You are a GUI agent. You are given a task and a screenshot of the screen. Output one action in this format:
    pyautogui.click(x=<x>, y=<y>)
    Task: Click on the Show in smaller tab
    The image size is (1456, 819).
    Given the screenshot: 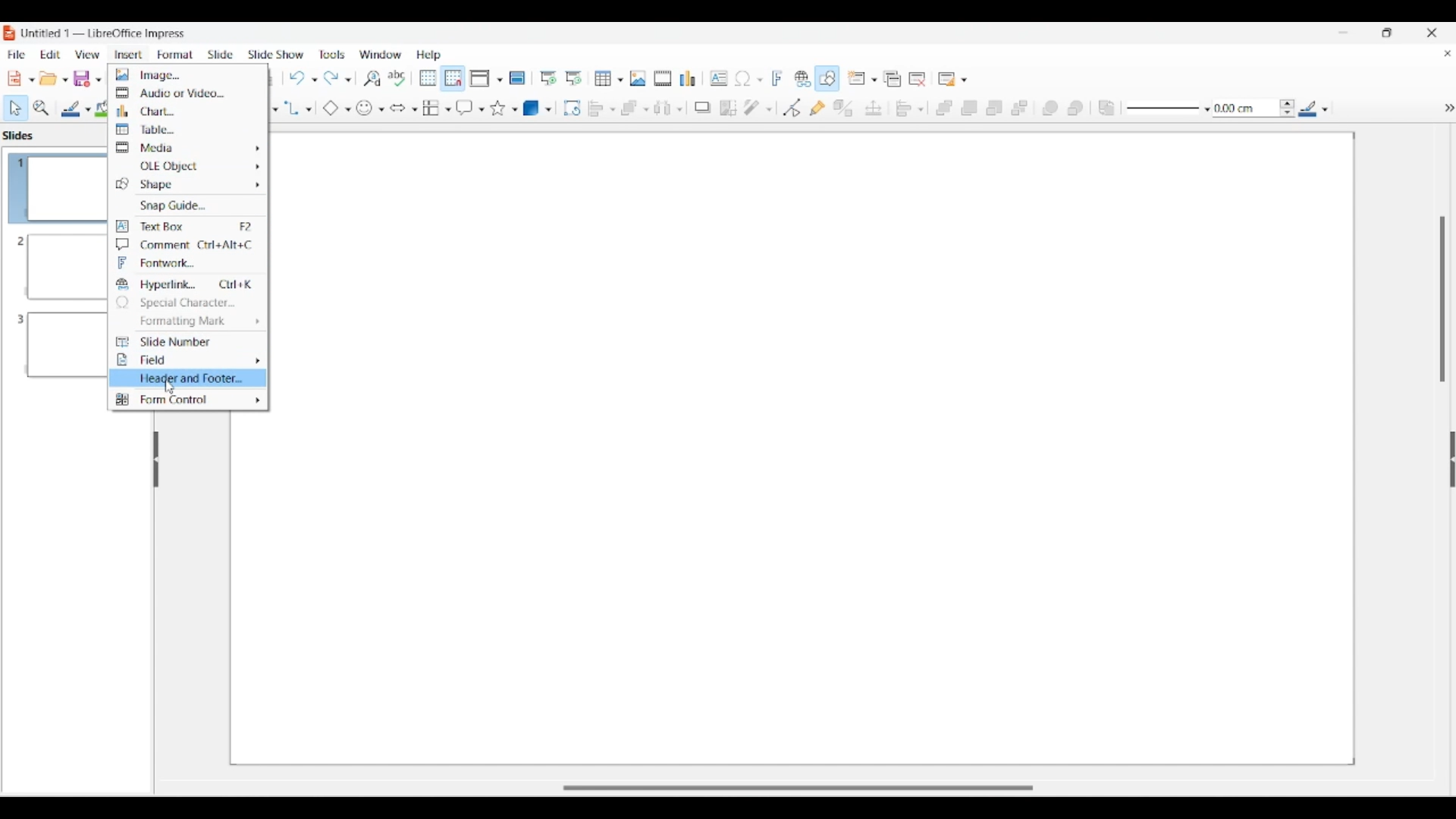 What is the action you would take?
    pyautogui.click(x=1387, y=33)
    